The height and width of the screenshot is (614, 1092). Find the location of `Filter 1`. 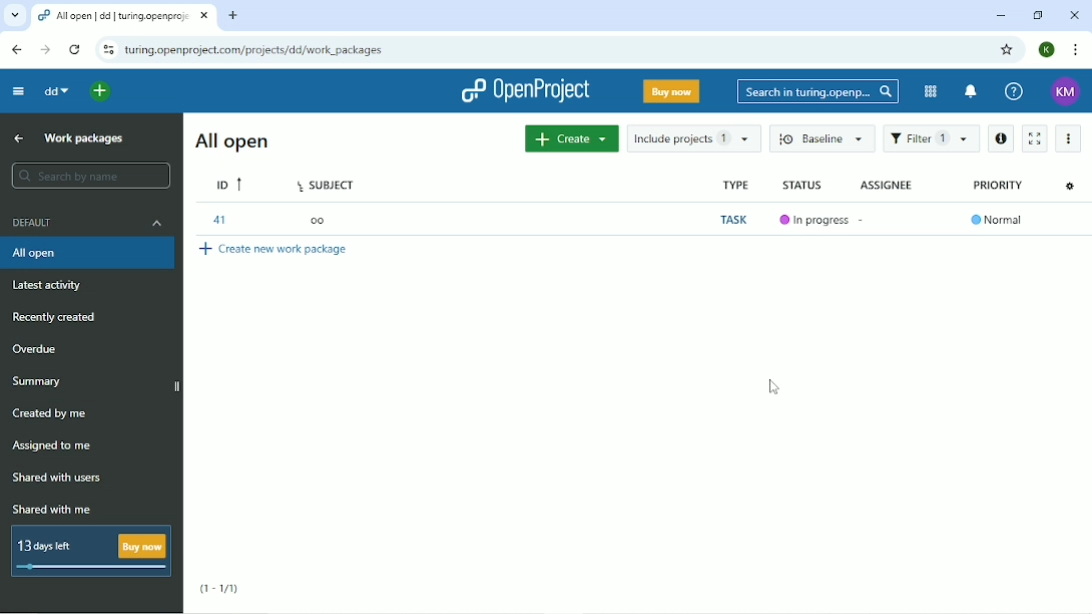

Filter 1 is located at coordinates (932, 139).